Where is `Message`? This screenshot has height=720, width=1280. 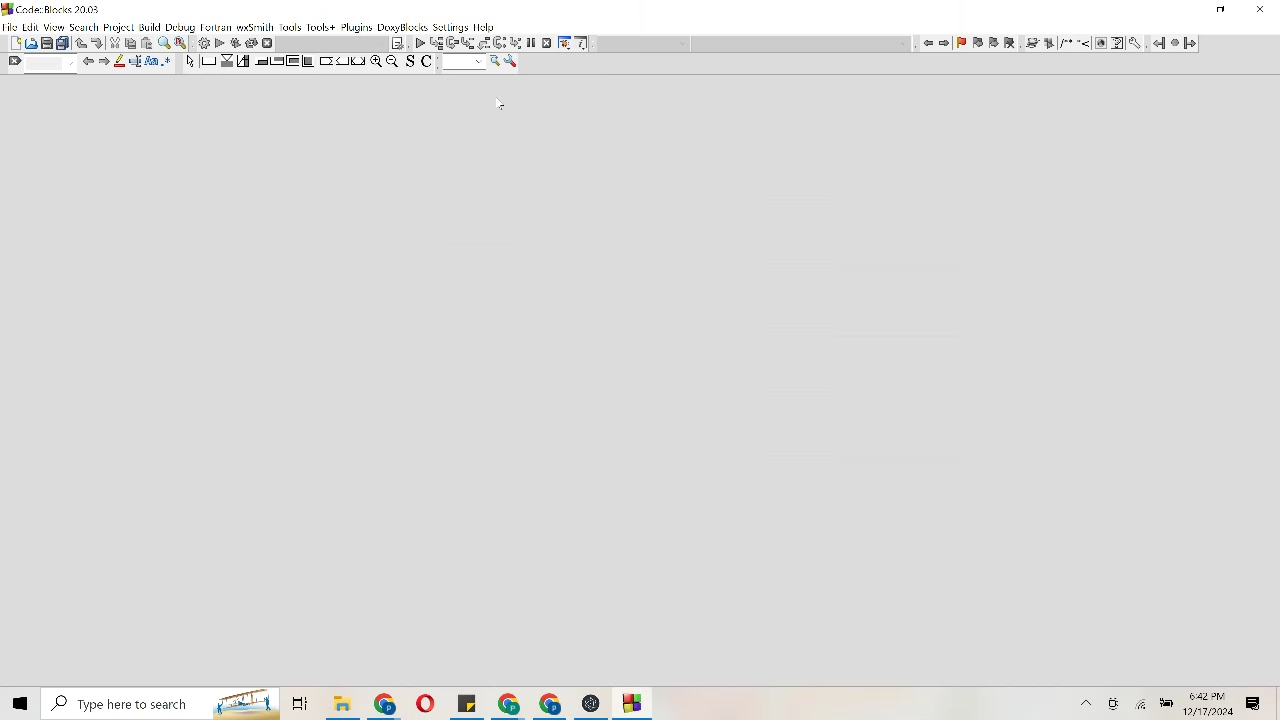 Message is located at coordinates (1254, 703).